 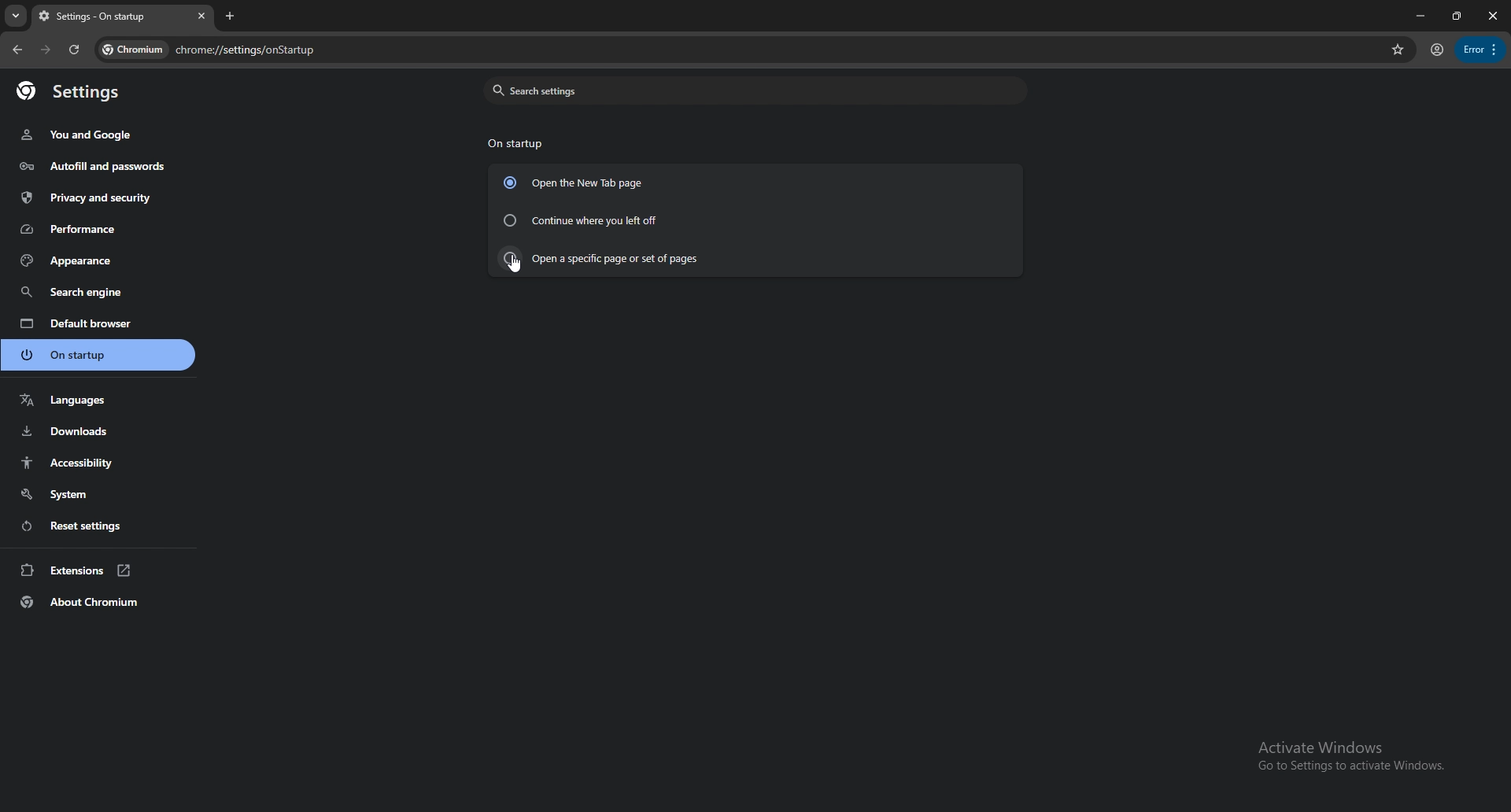 What do you see at coordinates (199, 17) in the screenshot?
I see `close tab` at bounding box center [199, 17].